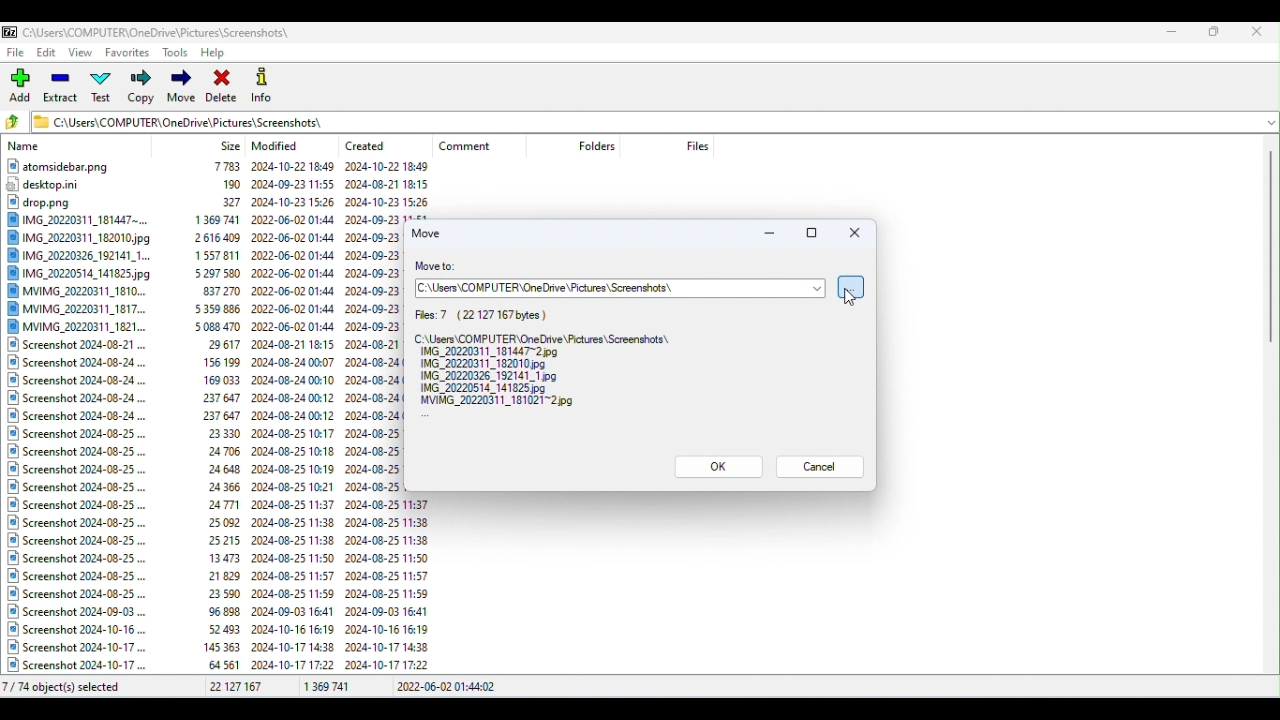 The height and width of the screenshot is (720, 1280). I want to click on Drop down menu, so click(1269, 121).